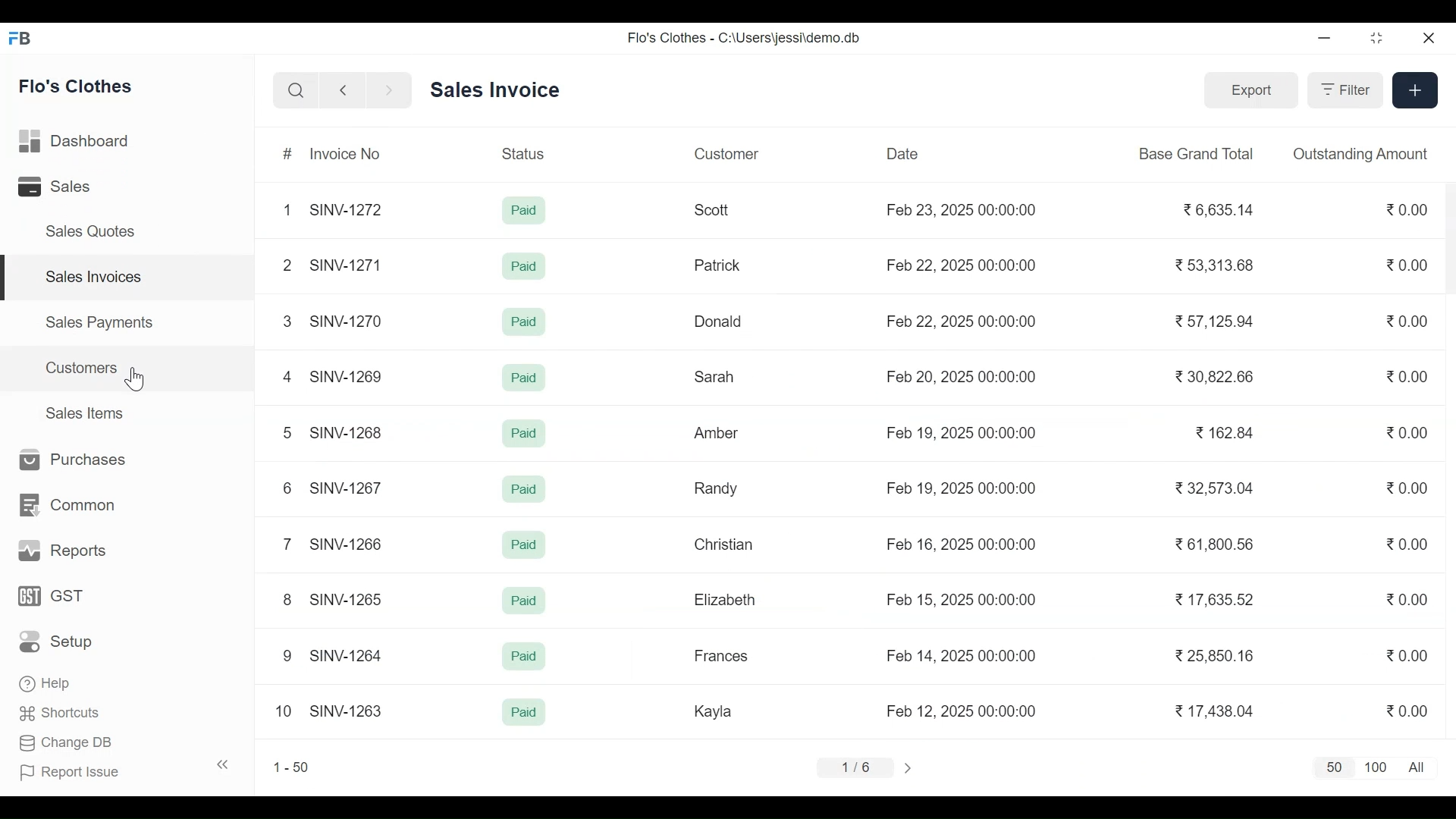 The height and width of the screenshot is (819, 1456). What do you see at coordinates (1417, 91) in the screenshot?
I see `+` at bounding box center [1417, 91].